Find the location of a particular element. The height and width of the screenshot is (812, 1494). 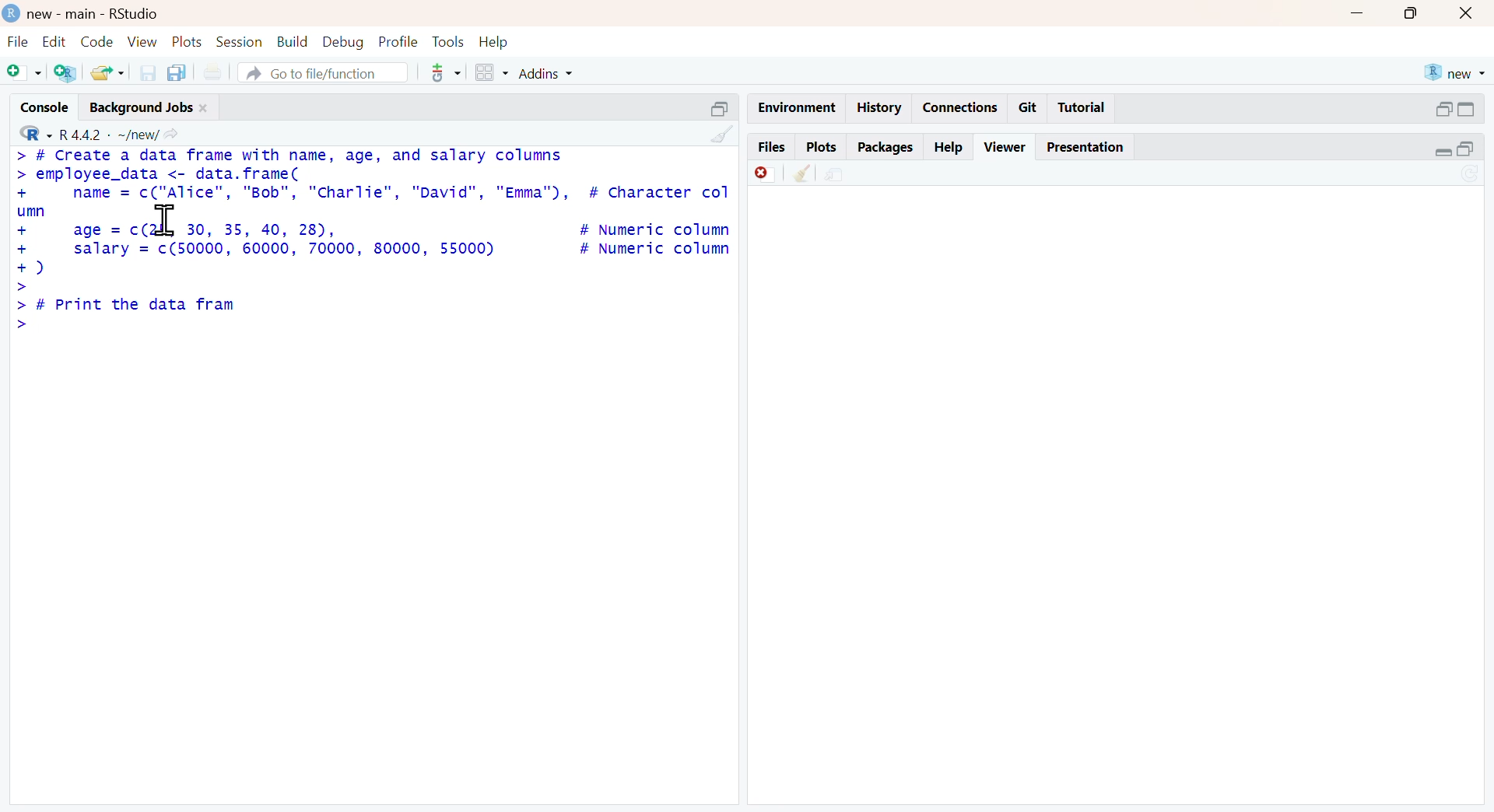

Create new Project is located at coordinates (65, 74).